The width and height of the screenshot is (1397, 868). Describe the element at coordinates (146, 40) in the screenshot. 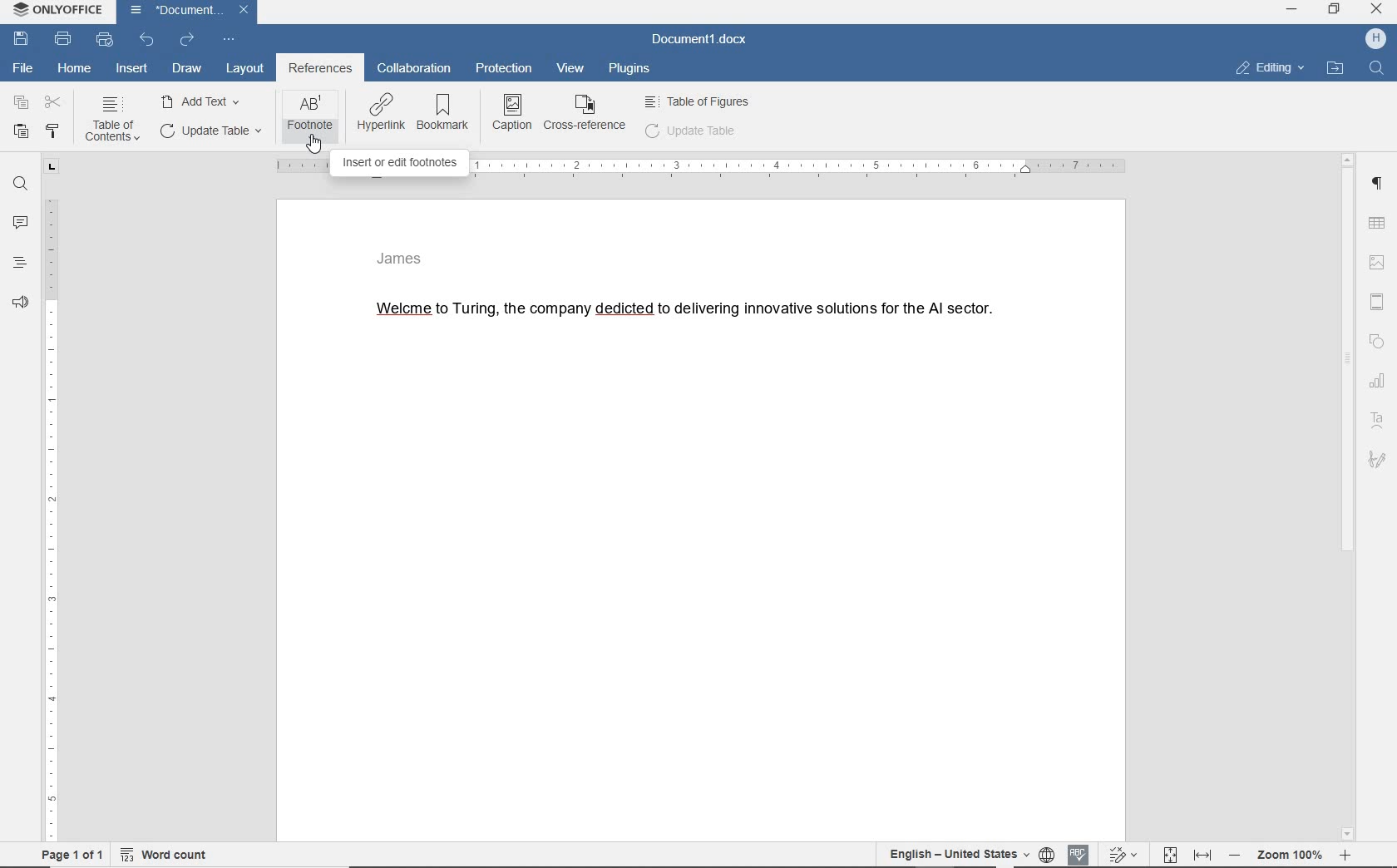

I see `undo` at that location.